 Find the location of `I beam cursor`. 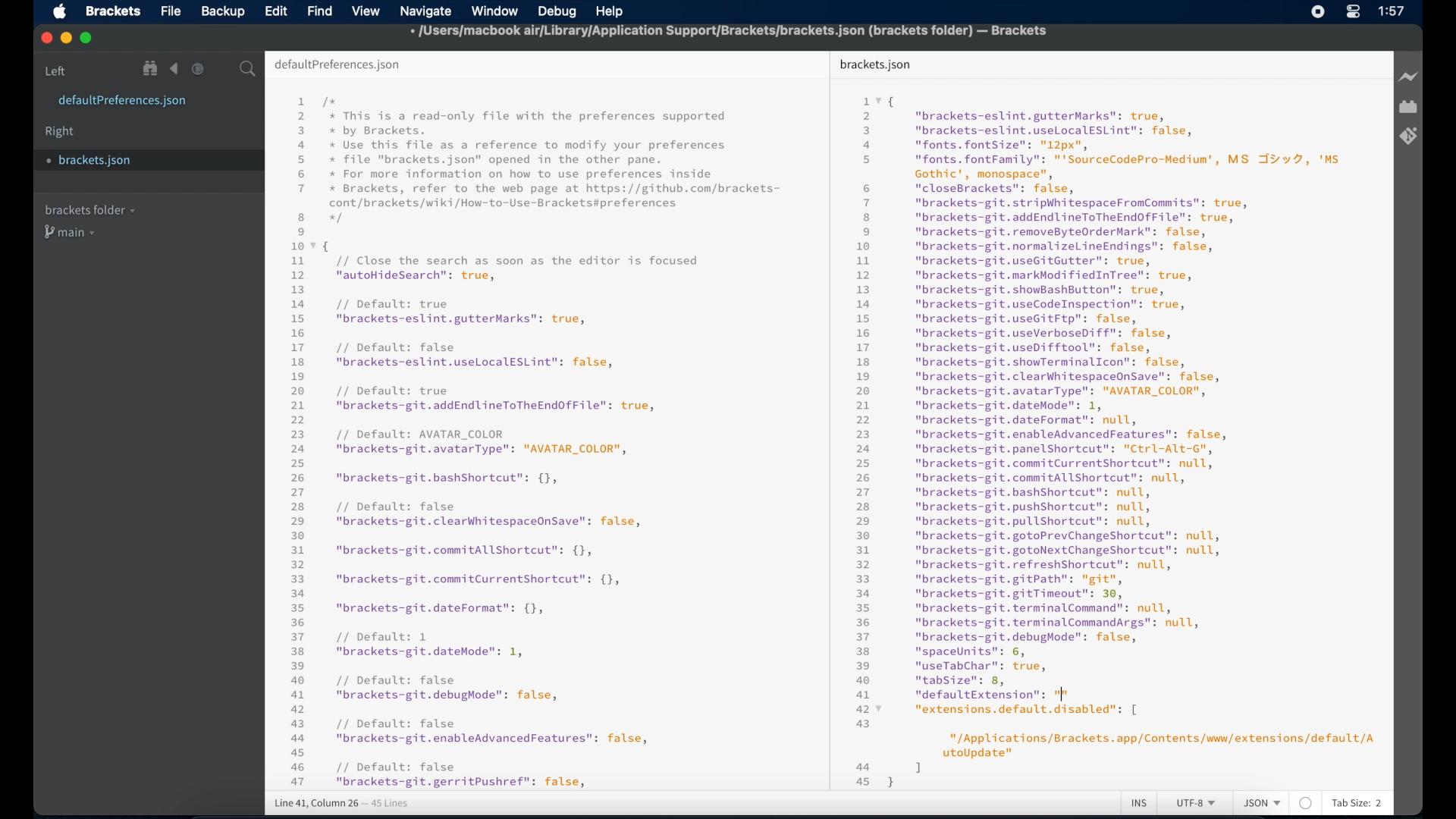

I beam cursor is located at coordinates (1065, 692).